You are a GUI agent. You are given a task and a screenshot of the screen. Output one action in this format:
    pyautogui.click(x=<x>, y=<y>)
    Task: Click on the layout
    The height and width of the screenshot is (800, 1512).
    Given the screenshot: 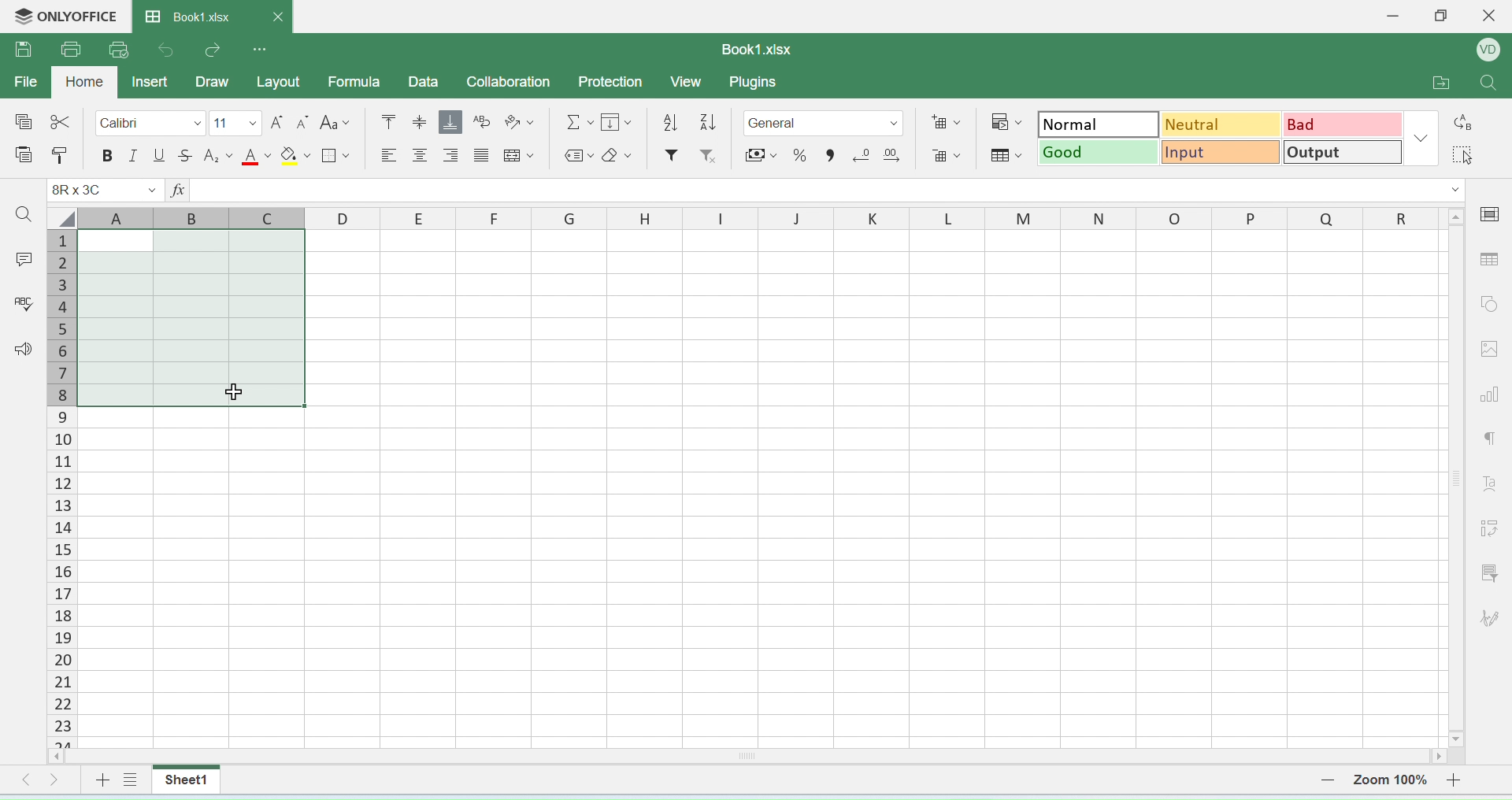 What is the action you would take?
    pyautogui.click(x=277, y=81)
    